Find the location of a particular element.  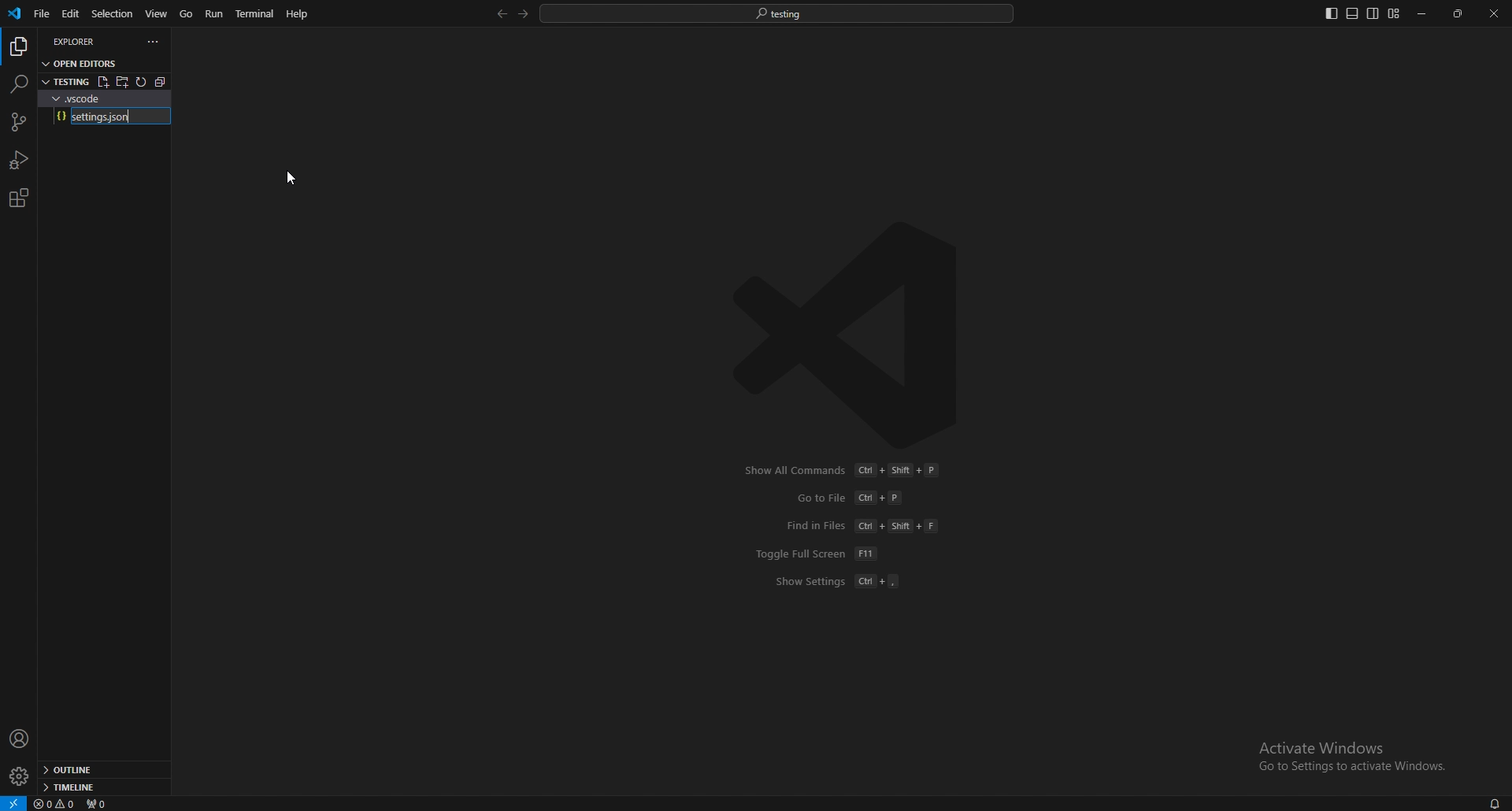

file is located at coordinates (40, 14).